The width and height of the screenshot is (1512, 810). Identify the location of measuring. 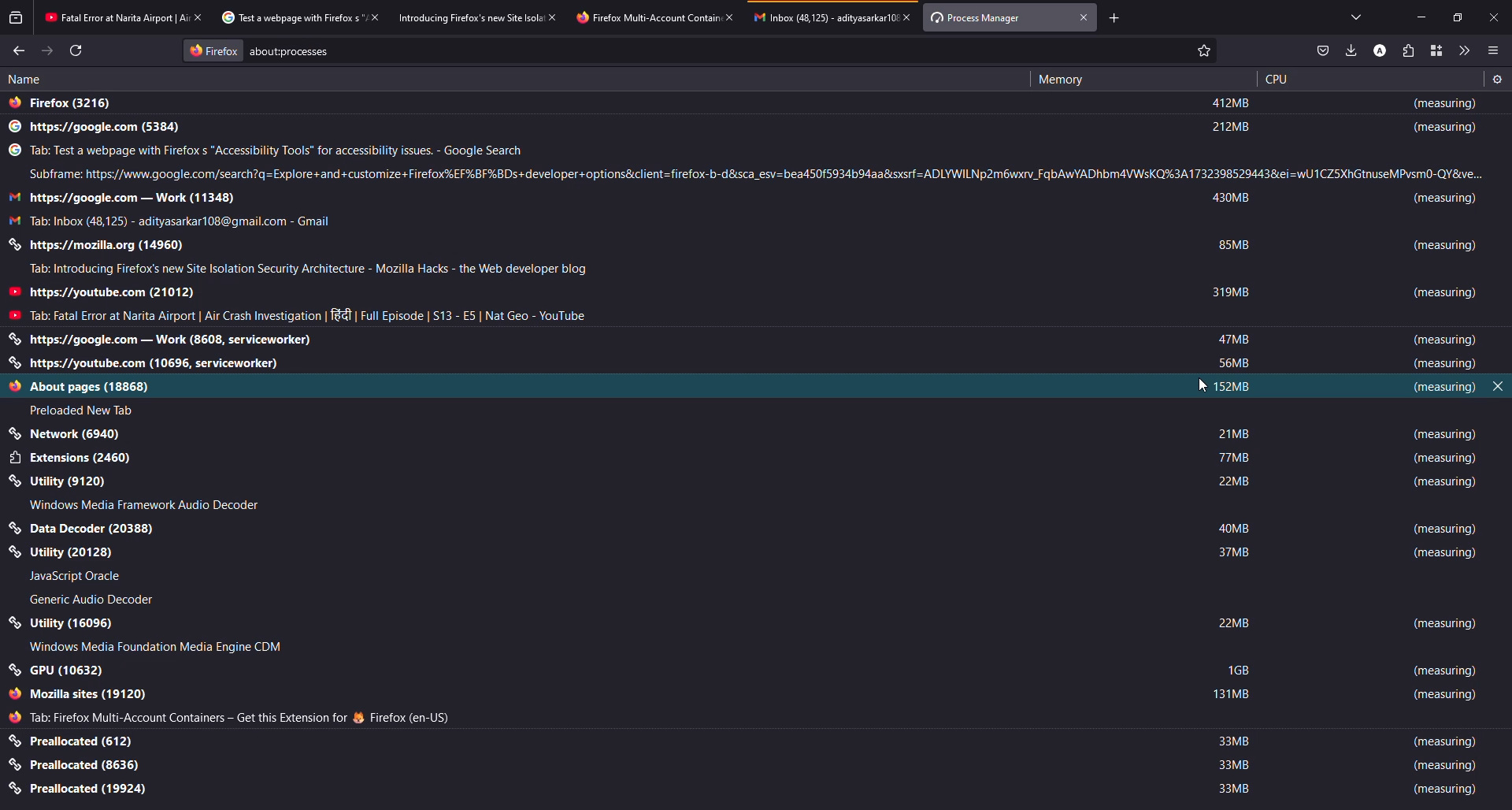
(1441, 790).